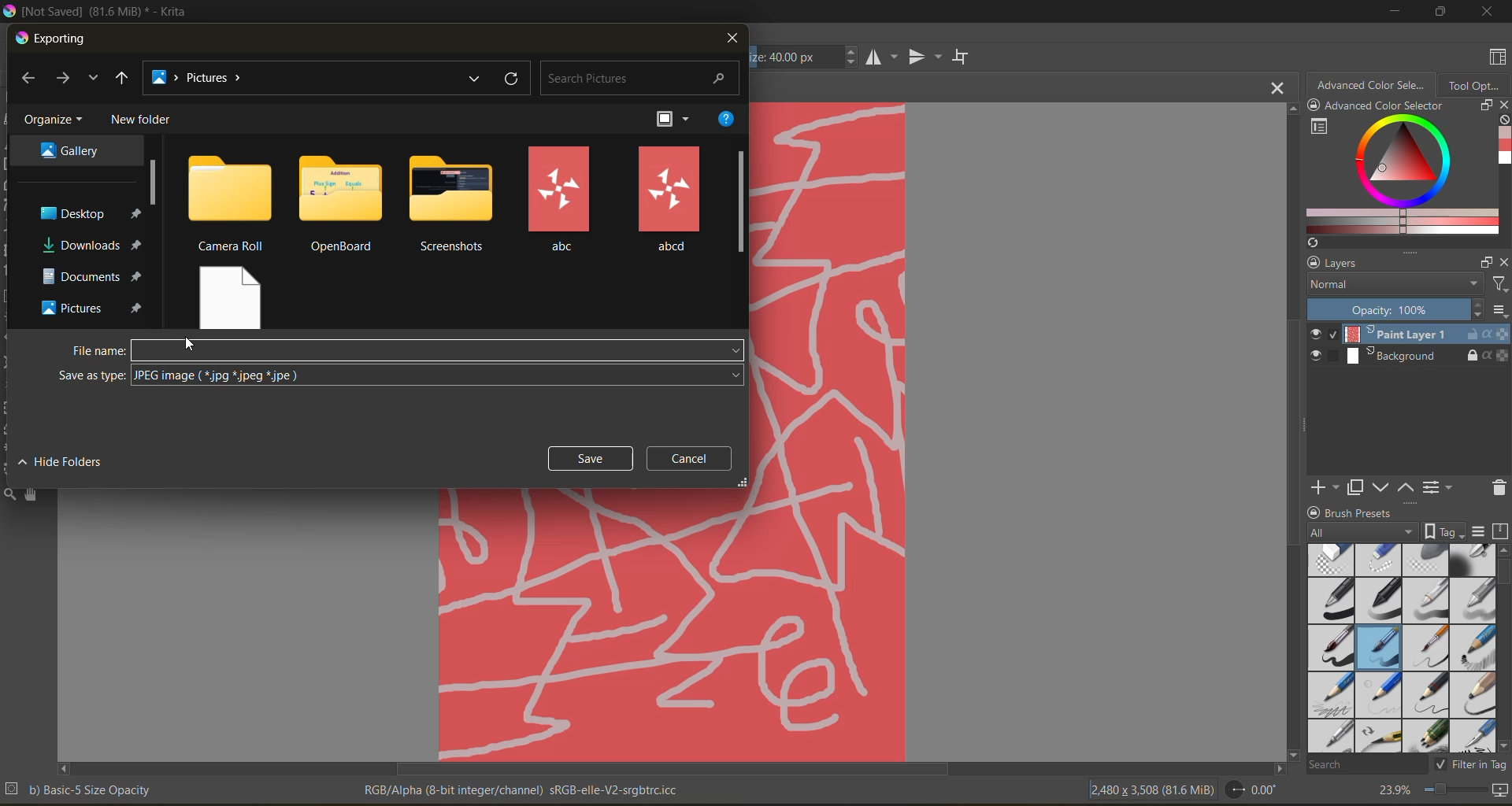  What do you see at coordinates (1322, 486) in the screenshot?
I see `add` at bounding box center [1322, 486].